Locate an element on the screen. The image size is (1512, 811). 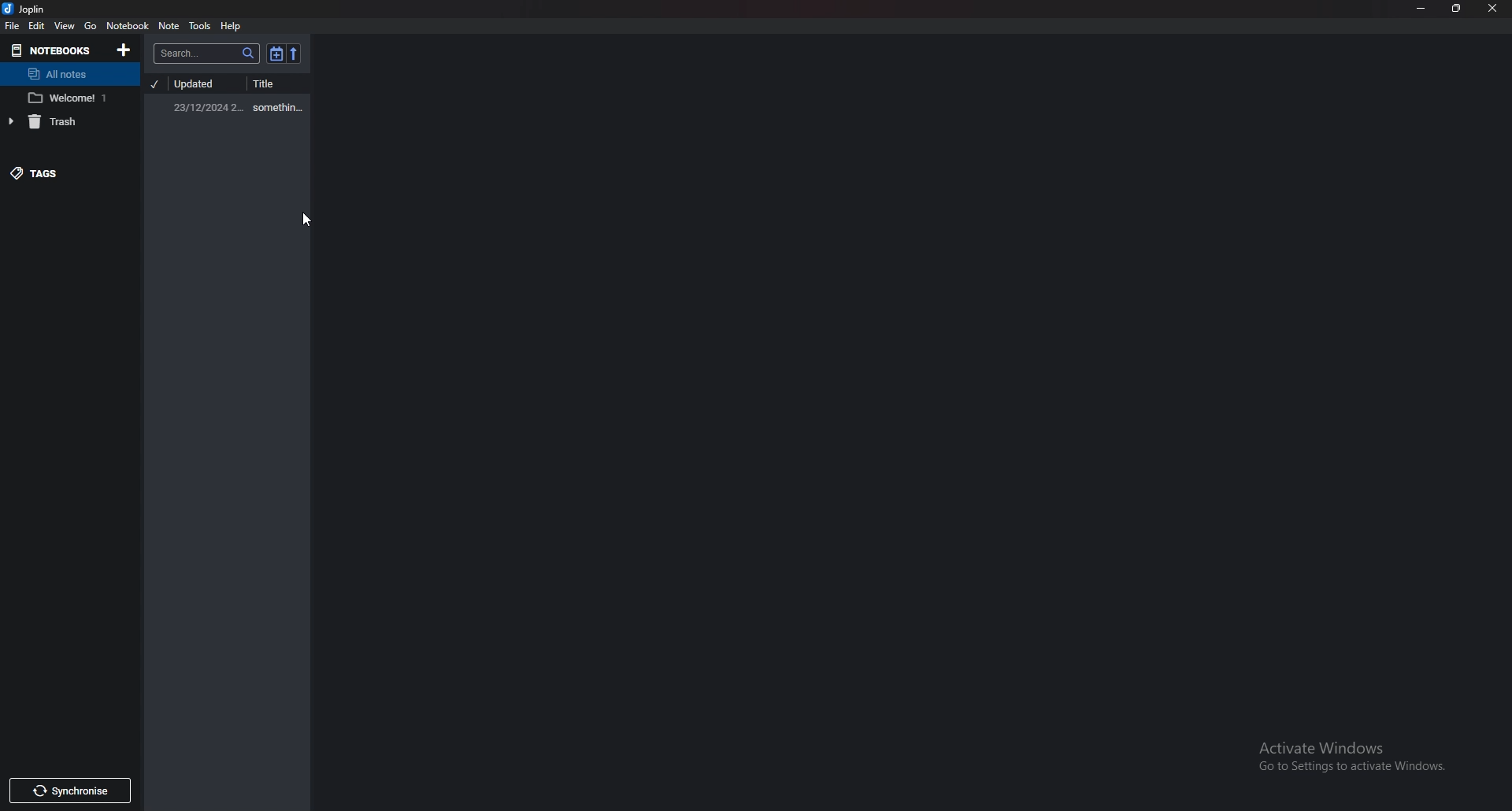
Notebook is located at coordinates (128, 27).